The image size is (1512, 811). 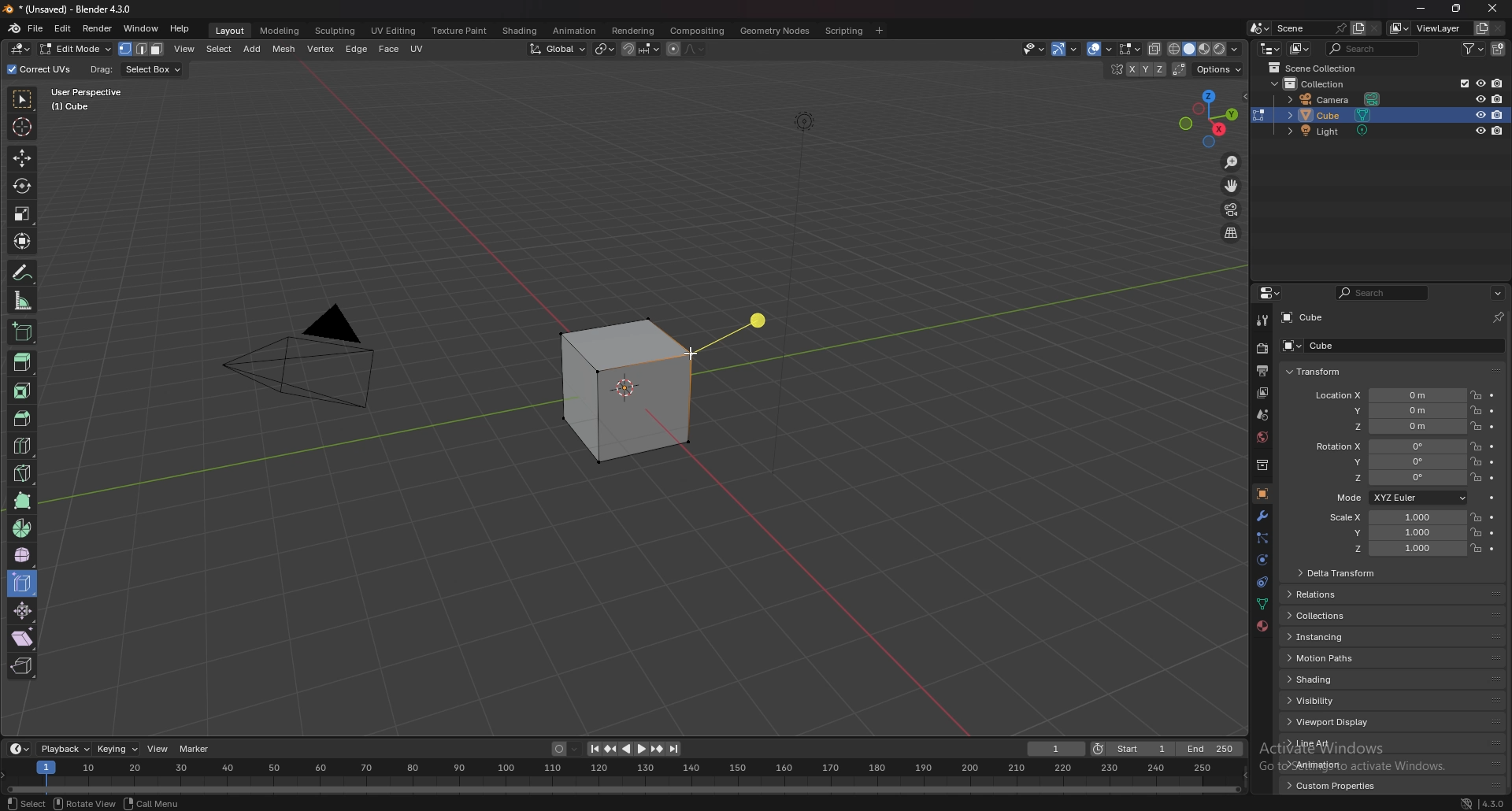 What do you see at coordinates (284, 50) in the screenshot?
I see `mesh` at bounding box center [284, 50].